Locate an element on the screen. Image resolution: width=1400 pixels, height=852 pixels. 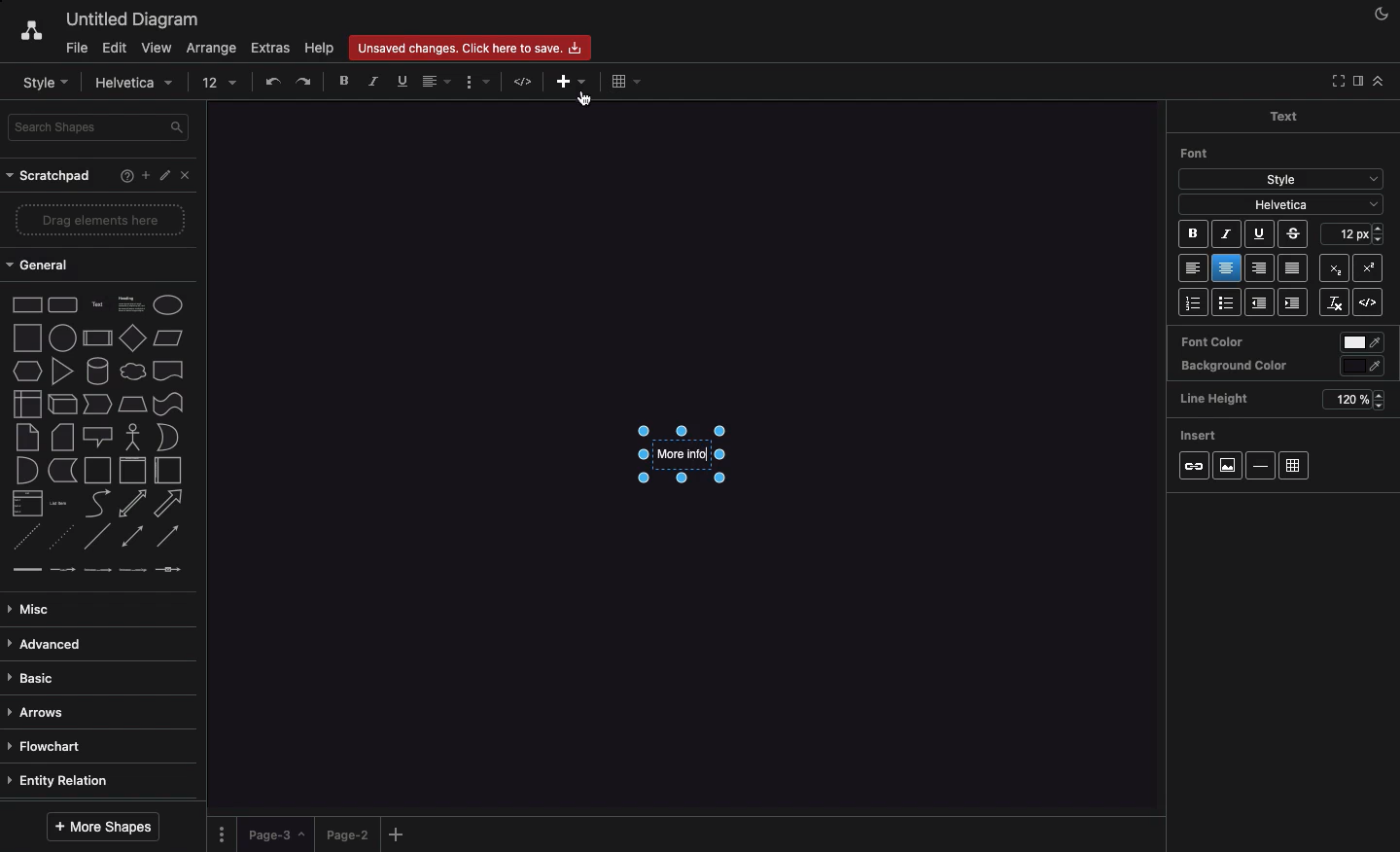
Page 3 is located at coordinates (274, 834).